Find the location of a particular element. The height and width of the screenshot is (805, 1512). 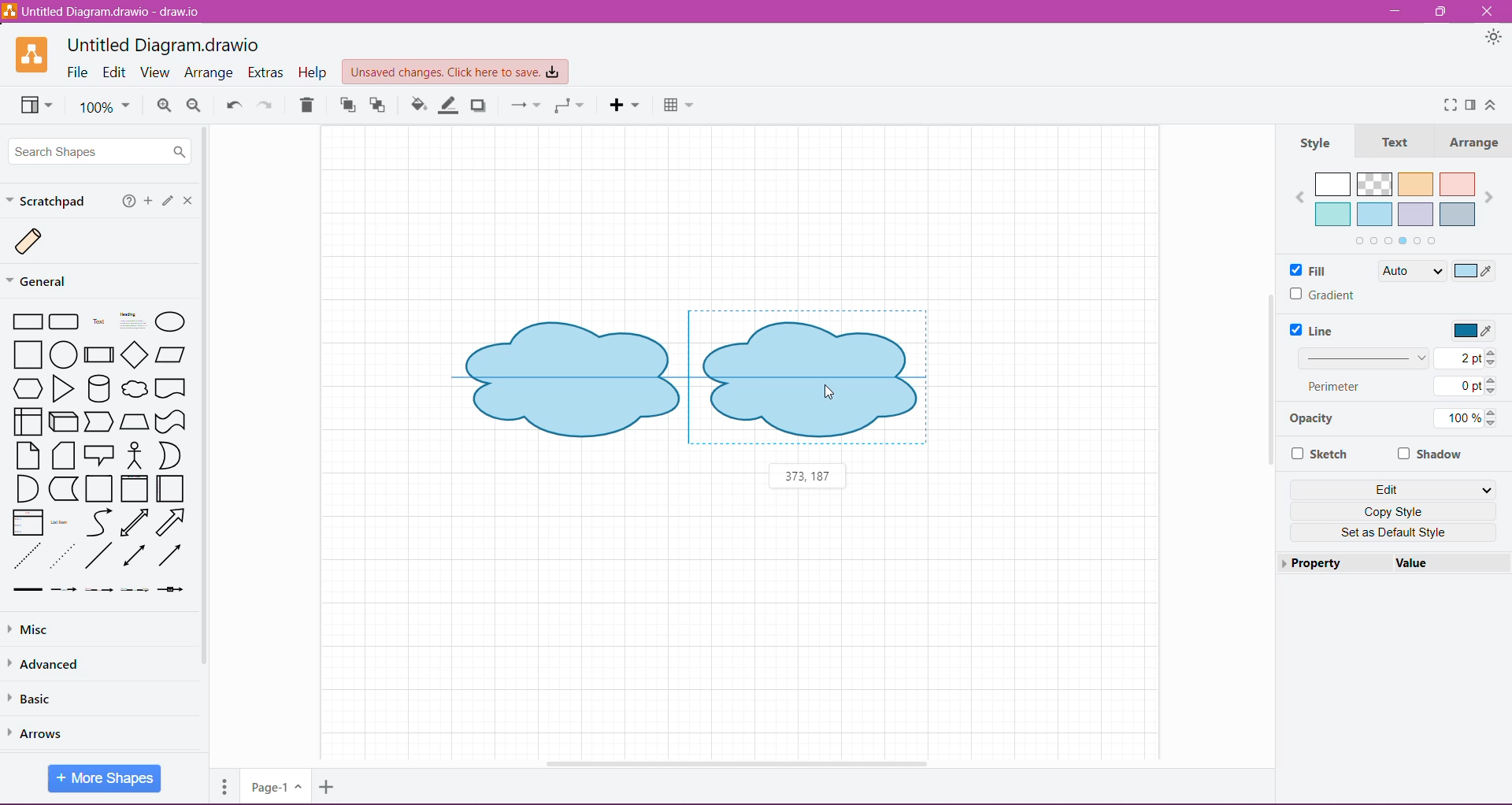

Set Line Width 2 pt is located at coordinates (1399, 359).